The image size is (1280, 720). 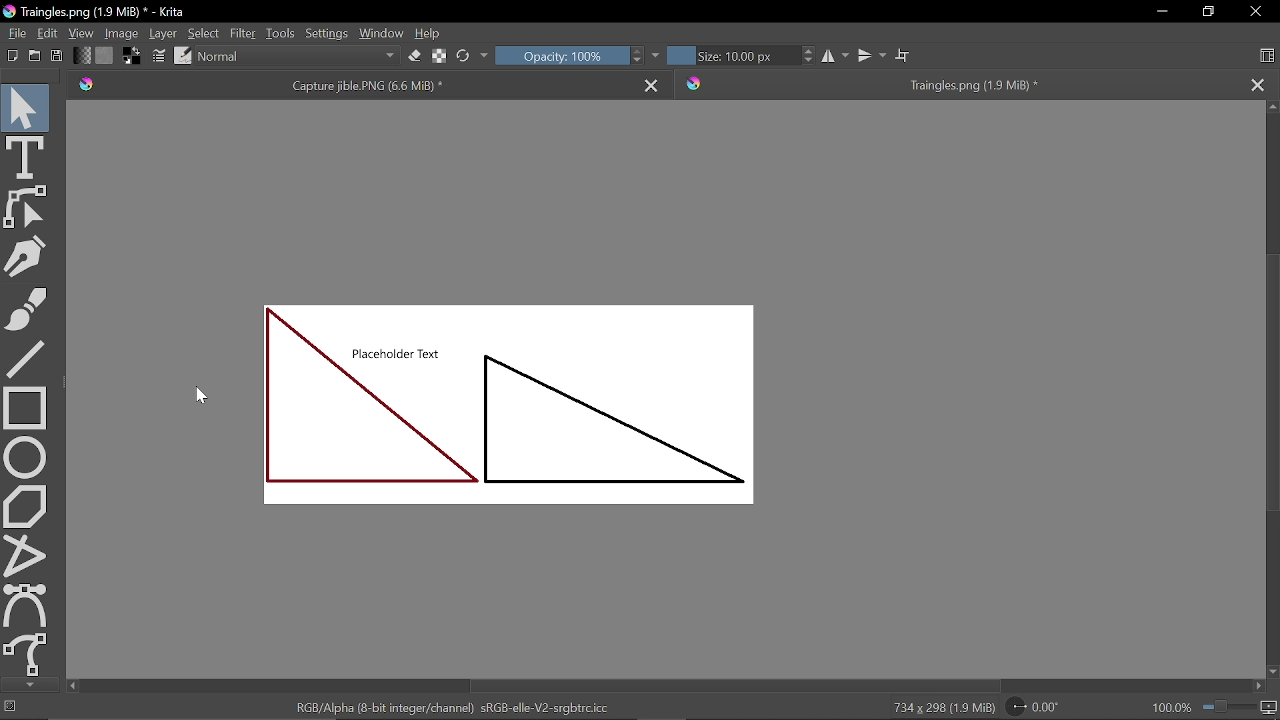 I want to click on Ellipse tool, so click(x=25, y=457).